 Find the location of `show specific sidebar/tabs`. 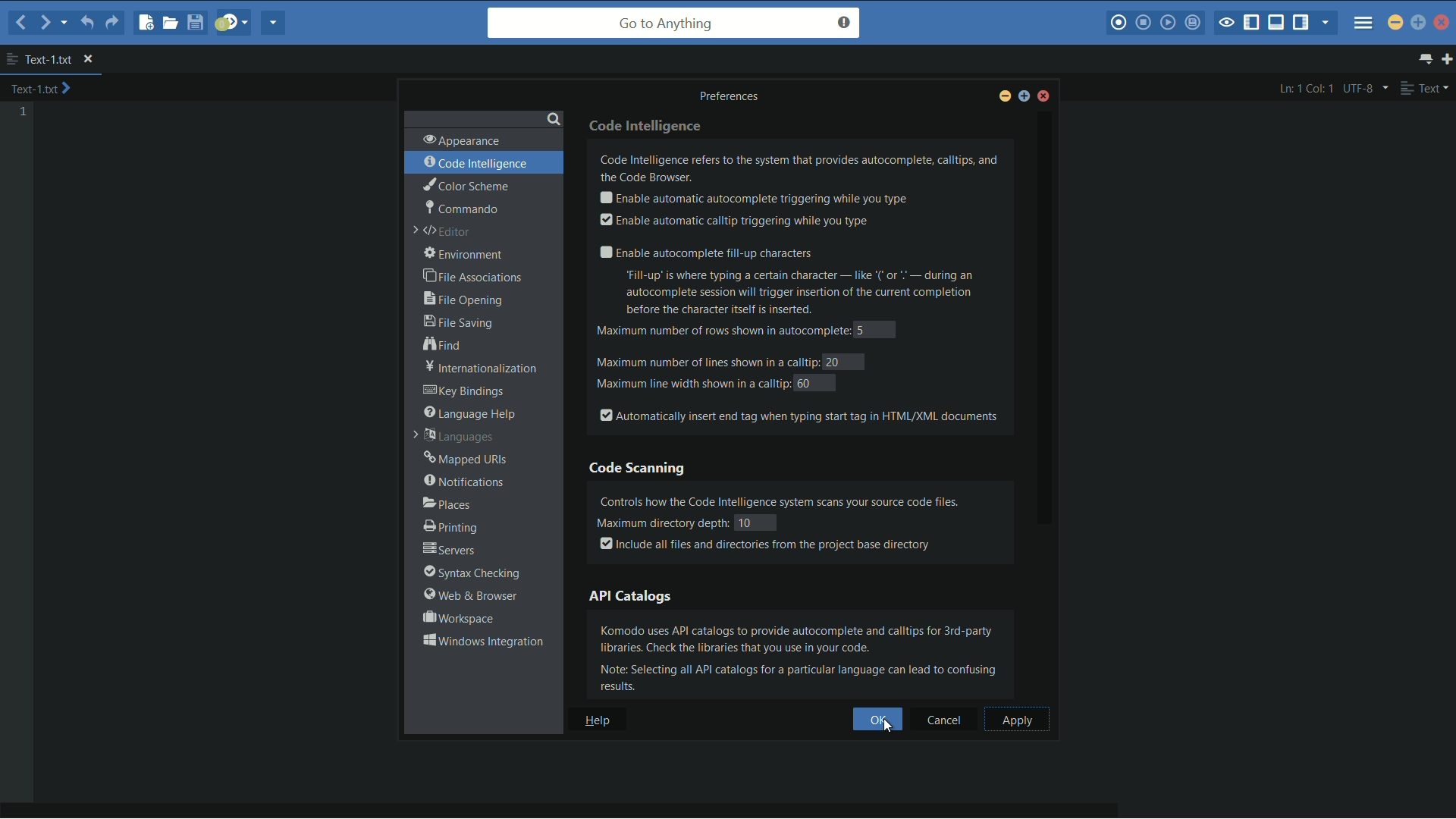

show specific sidebar/tabs is located at coordinates (1326, 24).